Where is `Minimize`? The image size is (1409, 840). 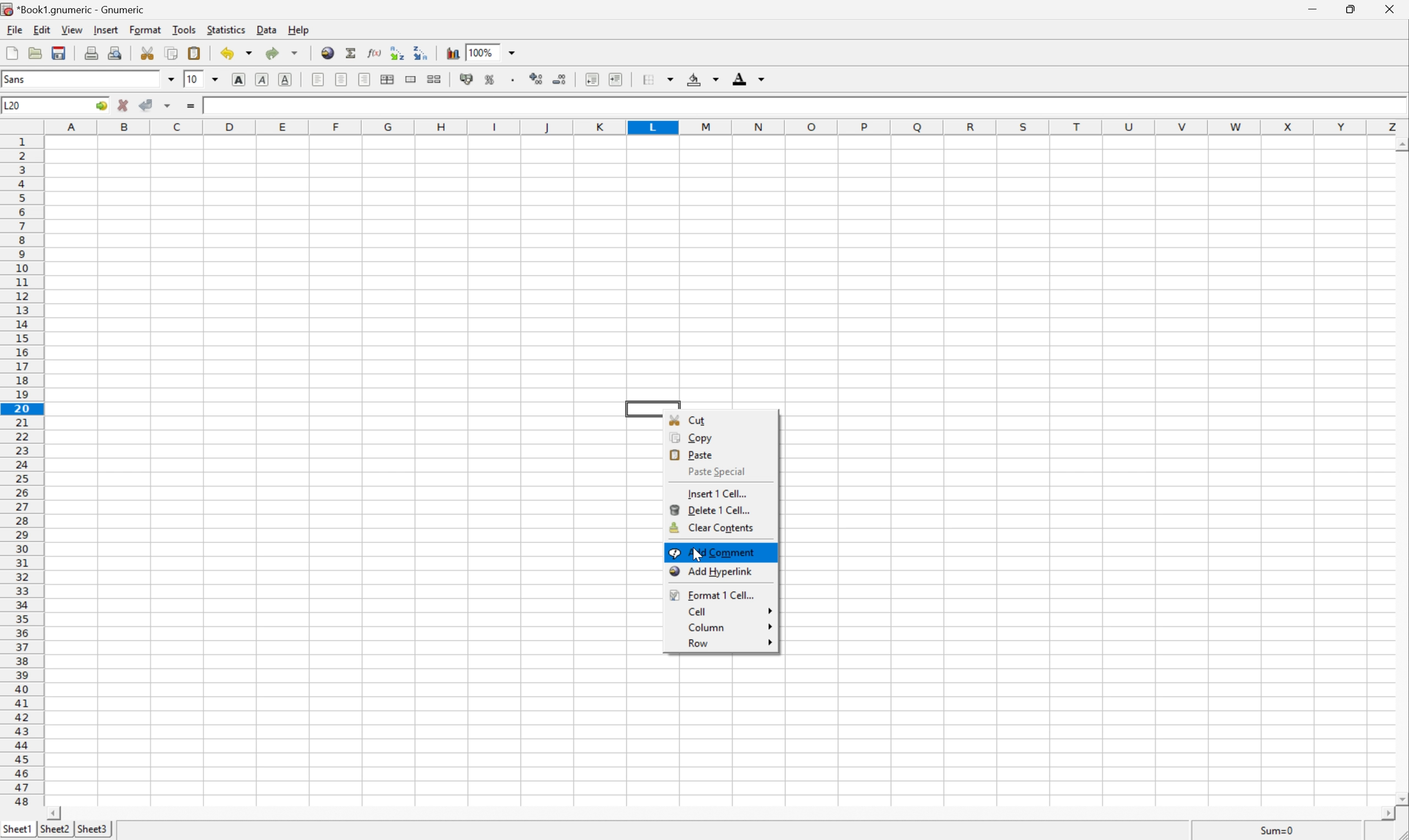 Minimize is located at coordinates (1315, 8).